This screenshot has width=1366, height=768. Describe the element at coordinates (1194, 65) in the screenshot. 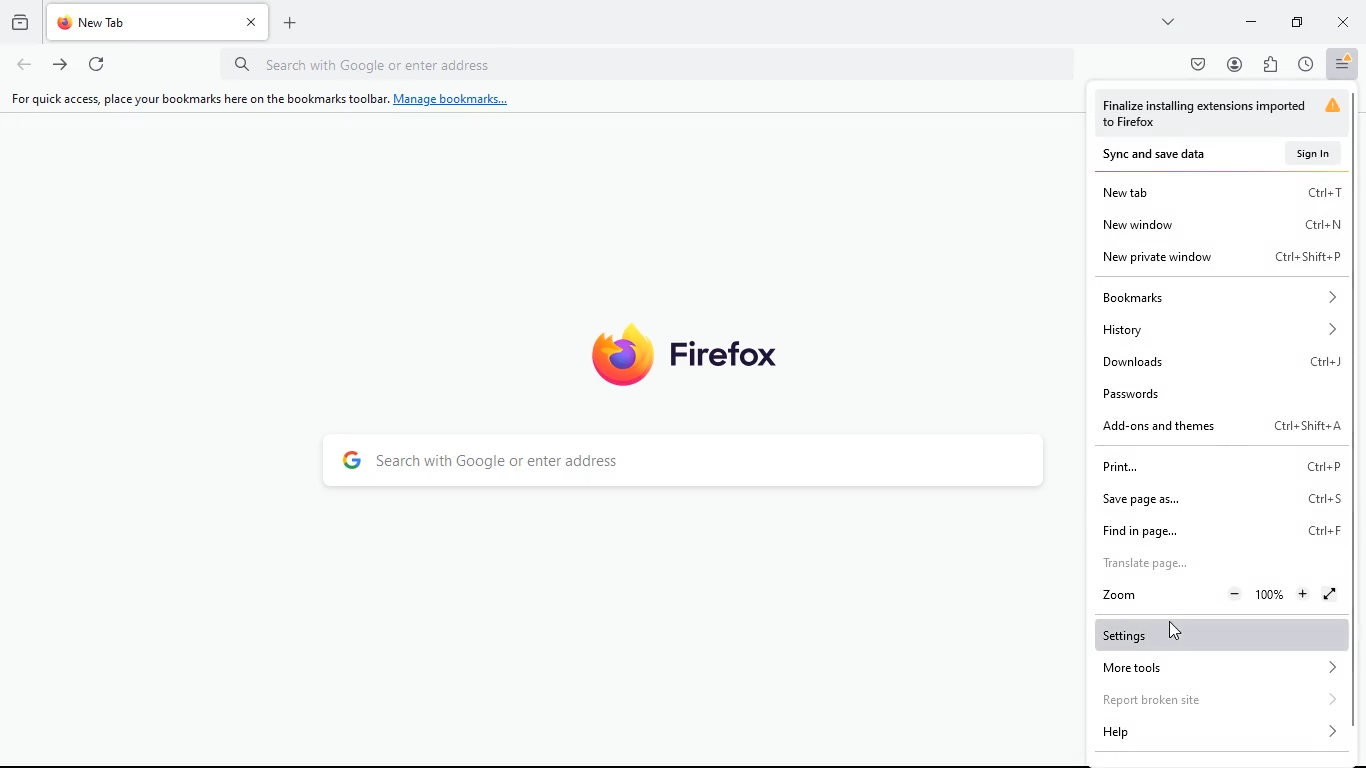

I see `pocket` at that location.